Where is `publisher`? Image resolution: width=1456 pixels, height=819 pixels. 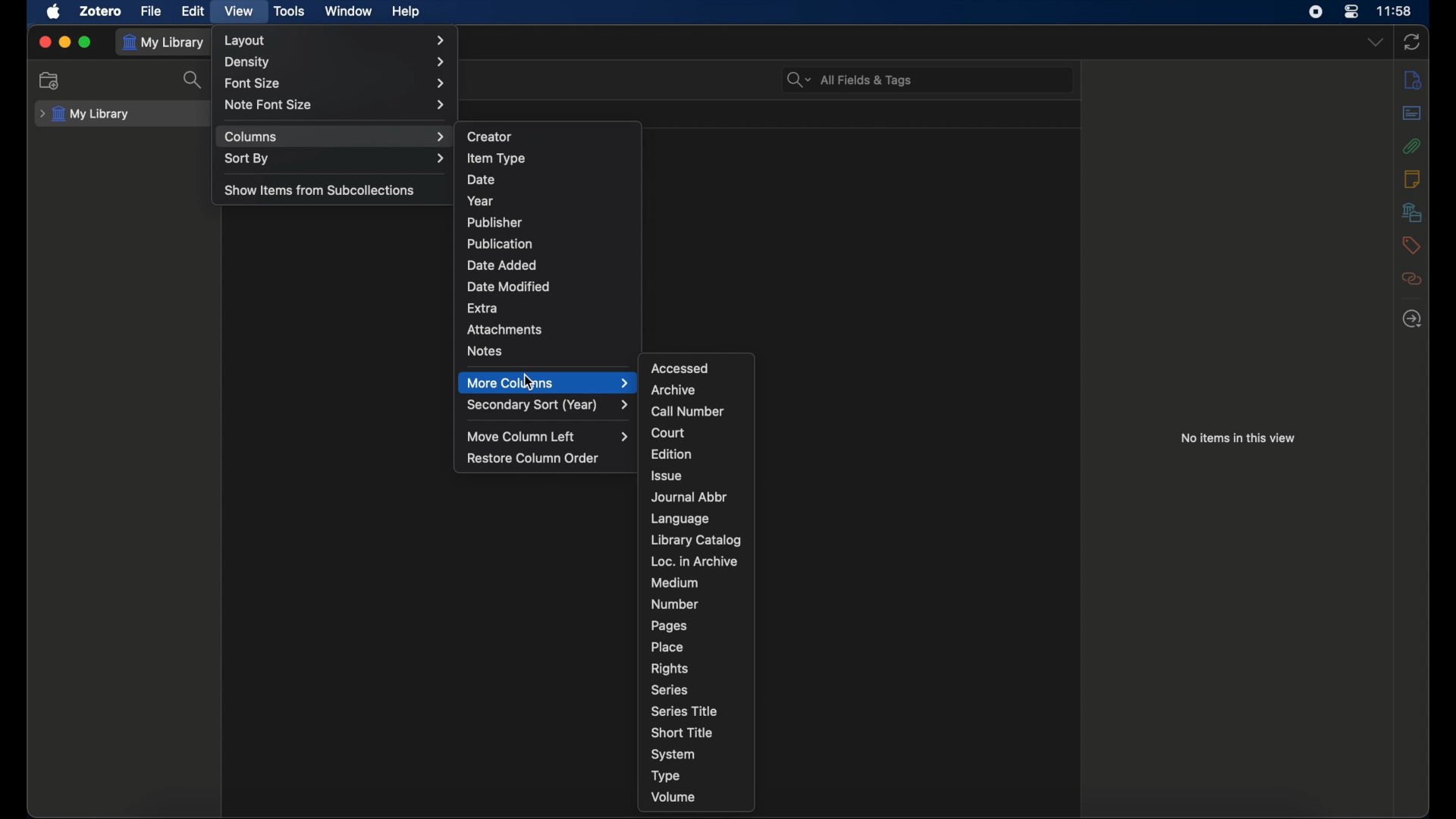 publisher is located at coordinates (496, 222).